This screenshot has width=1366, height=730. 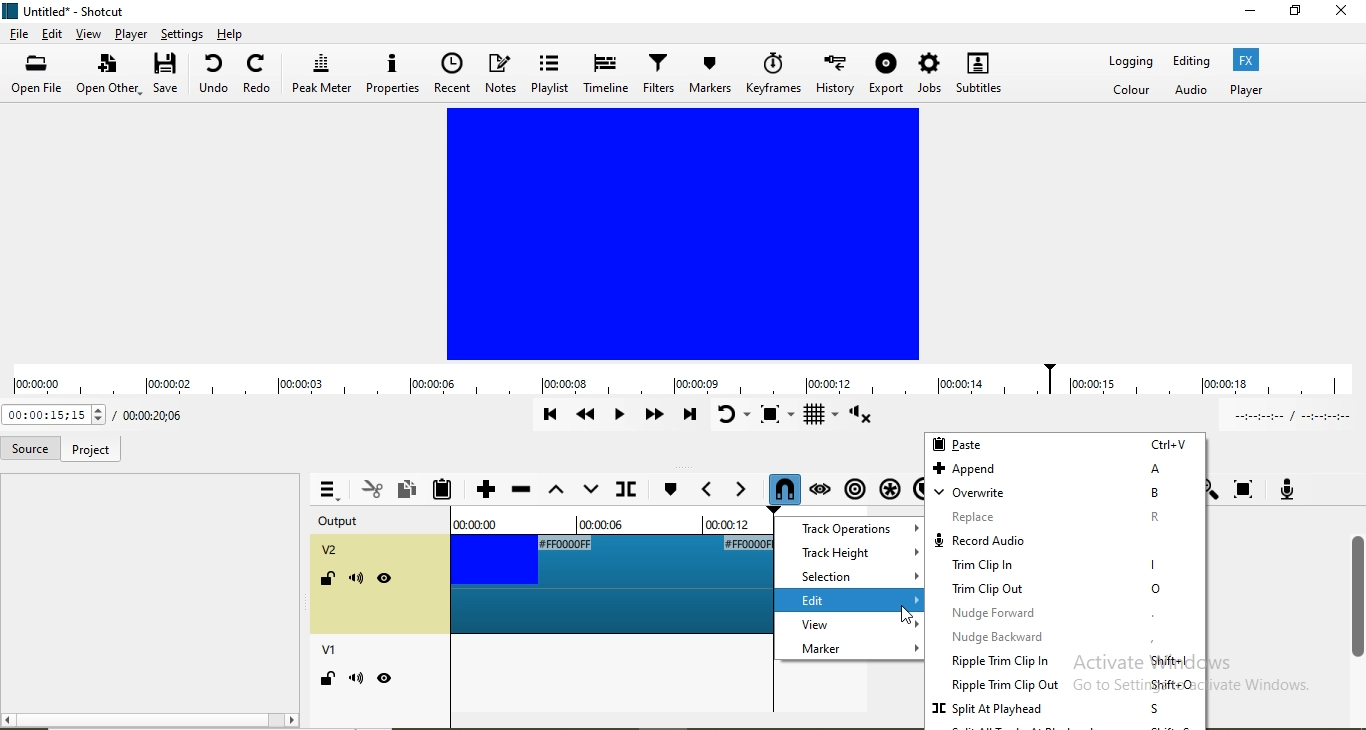 I want to click on ripple Trim clip out, so click(x=1069, y=686).